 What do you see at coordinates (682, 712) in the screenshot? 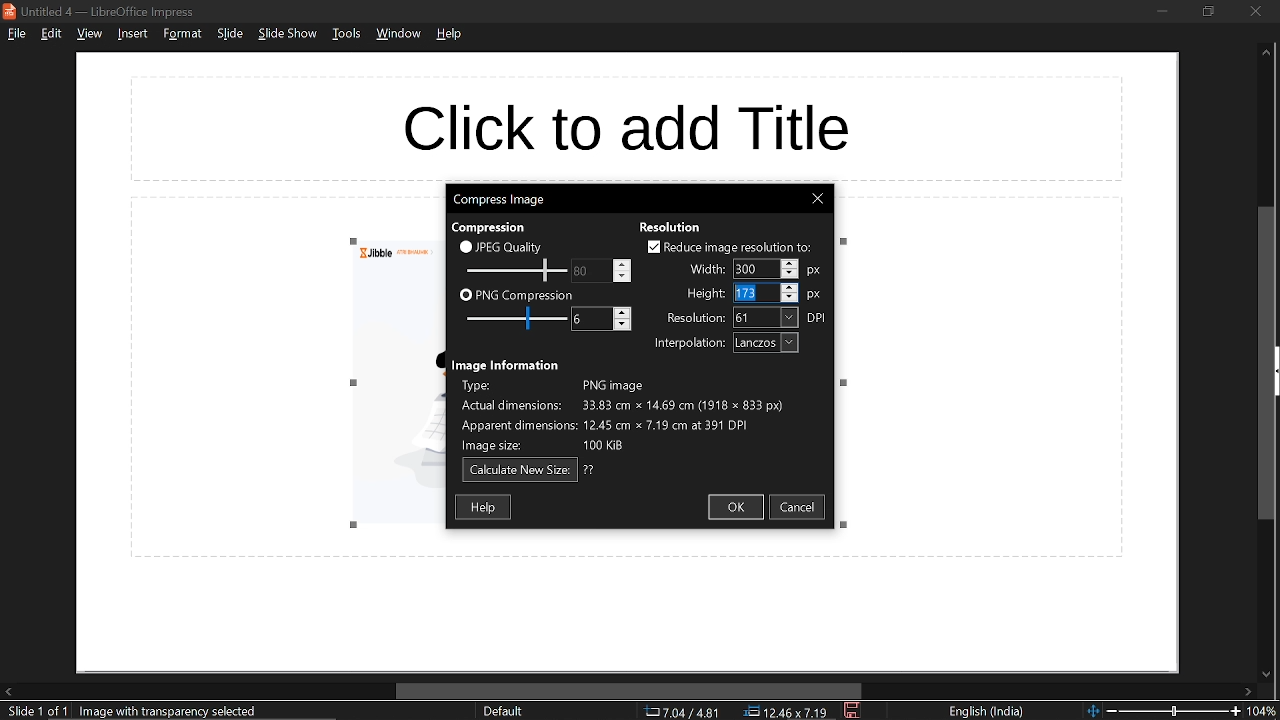
I see `co-ordinate` at bounding box center [682, 712].